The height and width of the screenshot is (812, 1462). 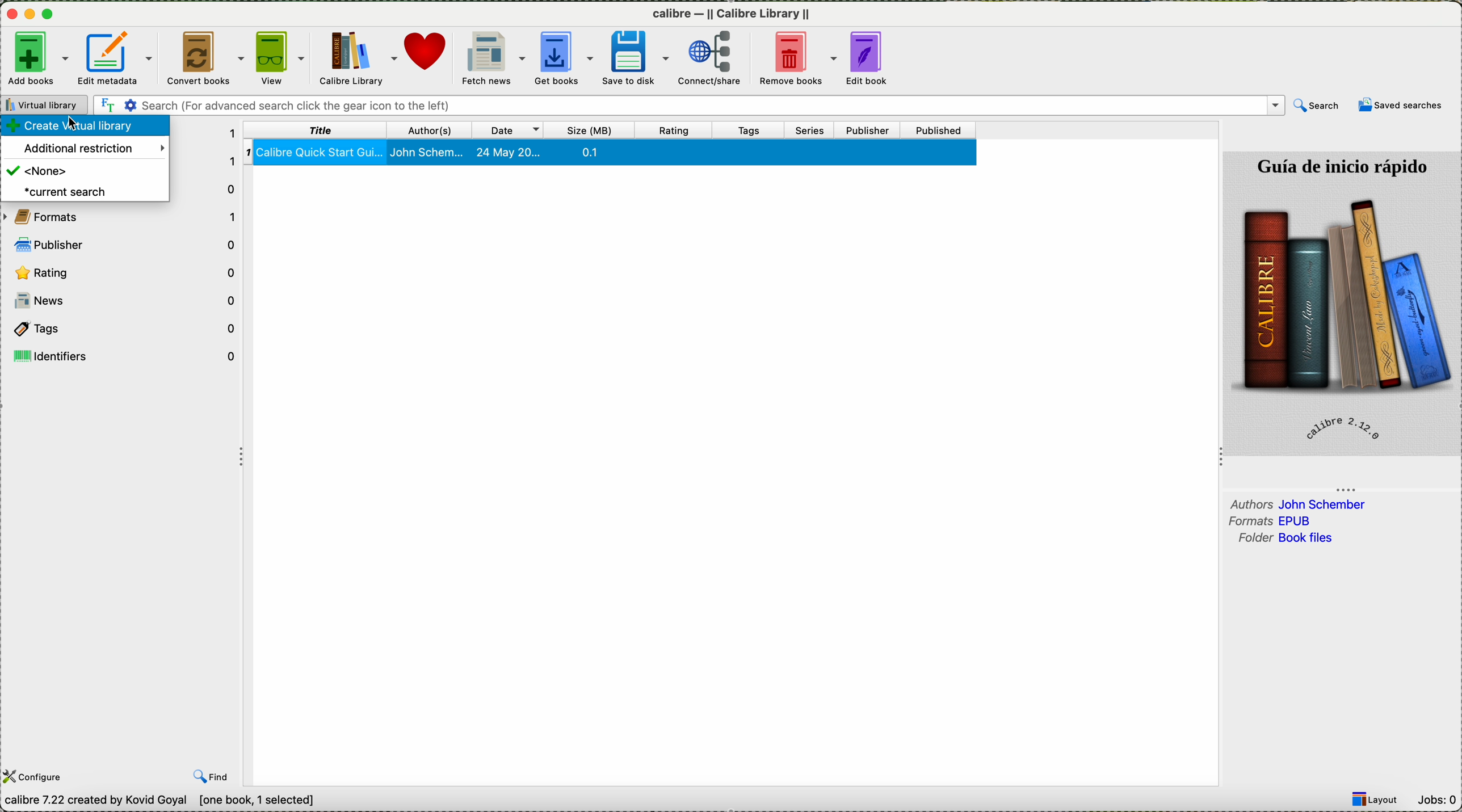 I want to click on publisher, so click(x=126, y=243).